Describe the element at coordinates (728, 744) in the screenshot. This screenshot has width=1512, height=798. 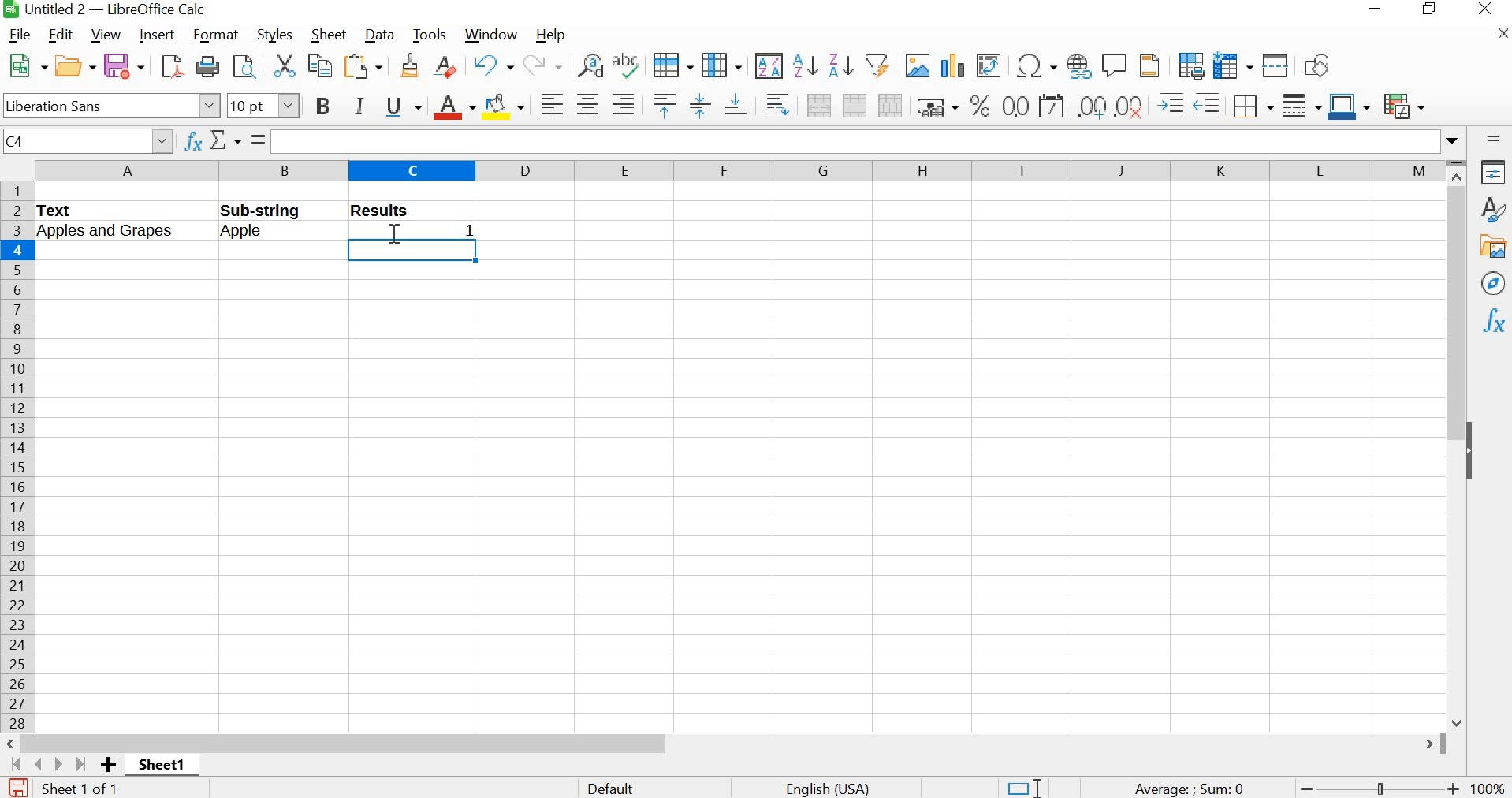
I see `scrollbar` at that location.